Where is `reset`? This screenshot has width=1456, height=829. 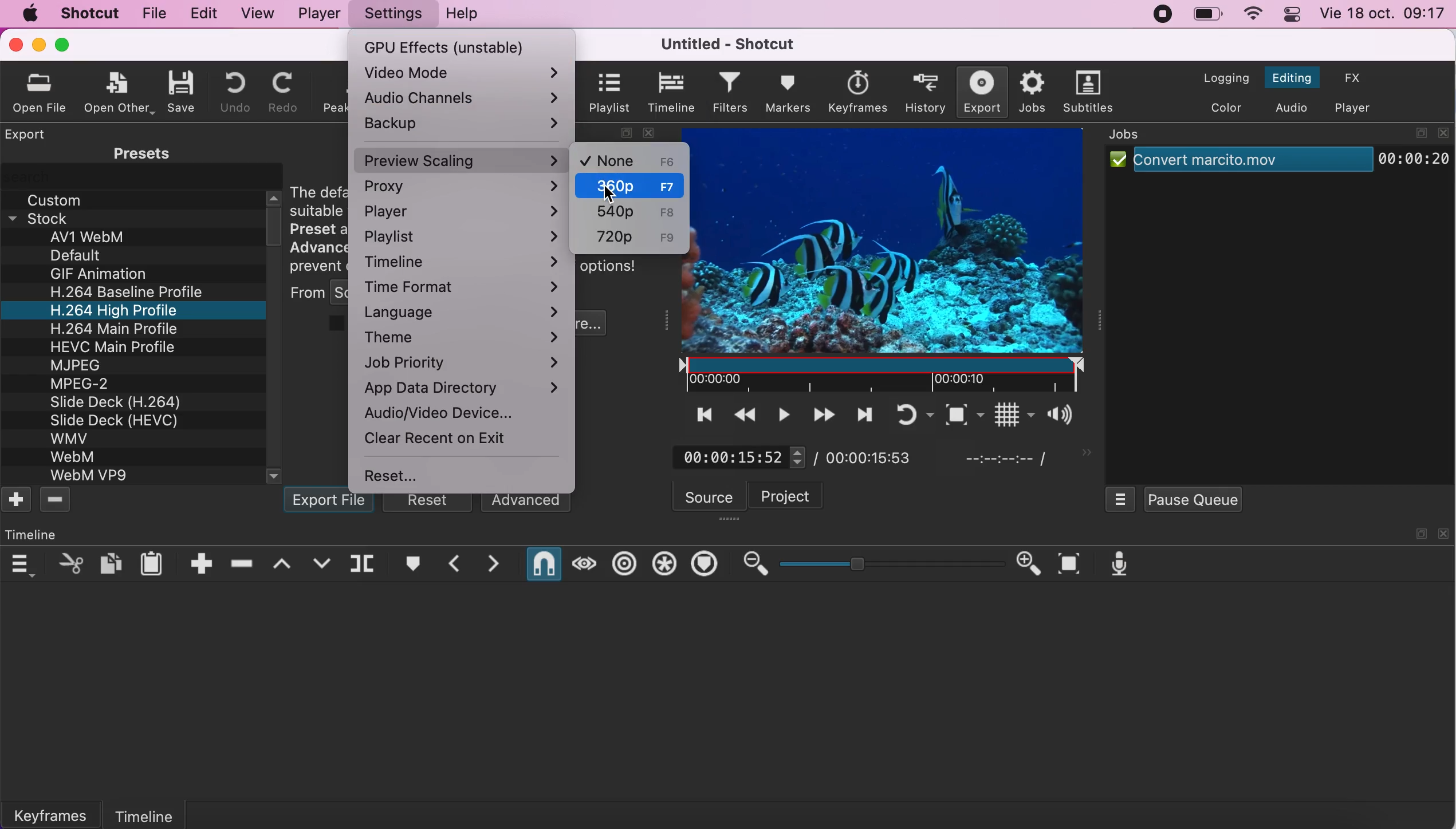
reset is located at coordinates (406, 476).